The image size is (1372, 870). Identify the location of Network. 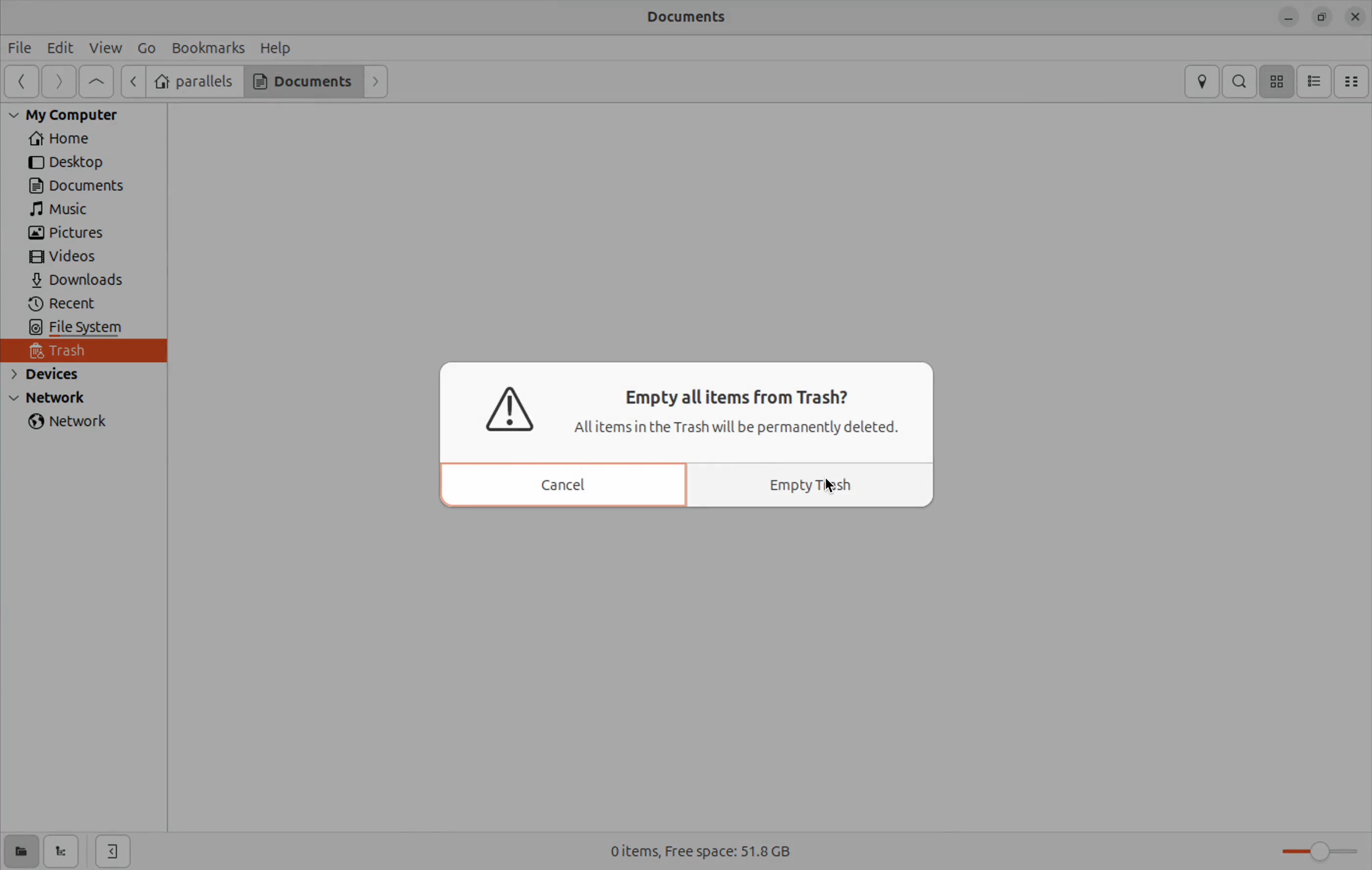
(54, 398).